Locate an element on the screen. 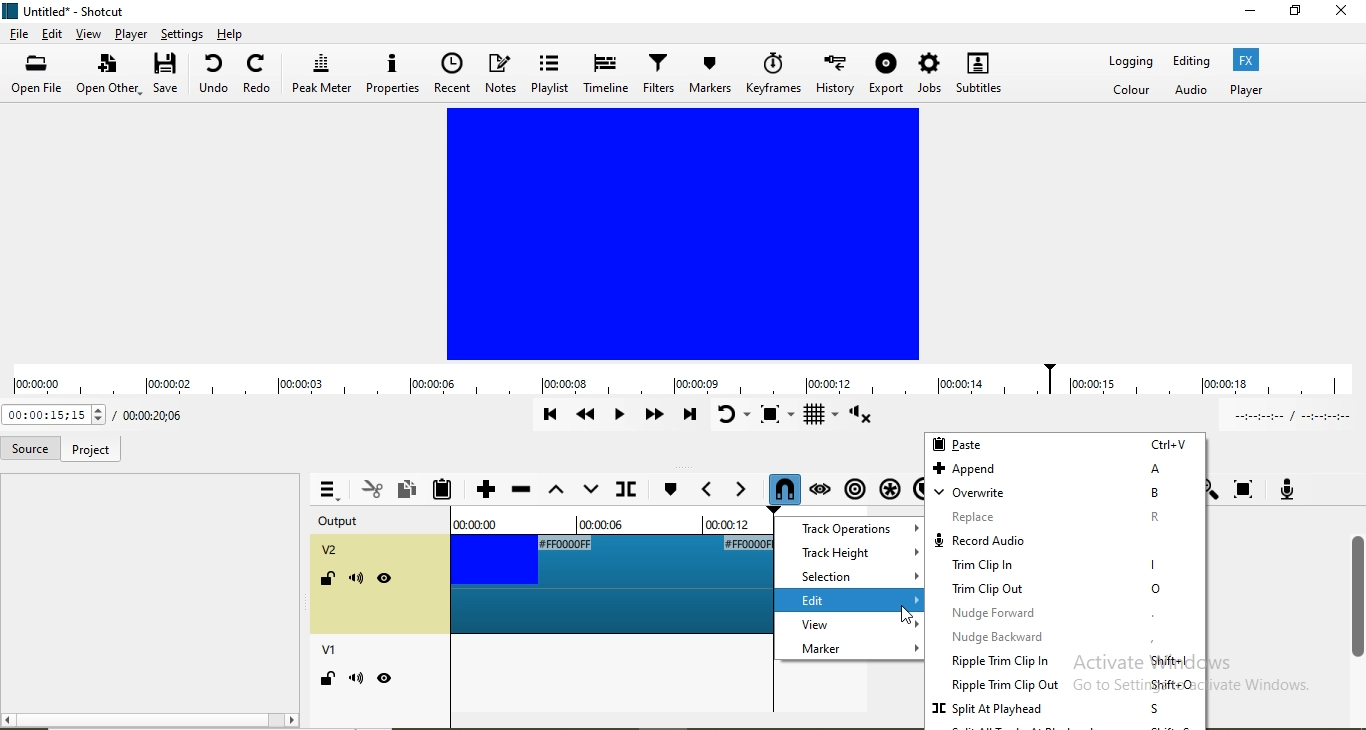 This screenshot has height=730, width=1366. Show volume control is located at coordinates (864, 418).